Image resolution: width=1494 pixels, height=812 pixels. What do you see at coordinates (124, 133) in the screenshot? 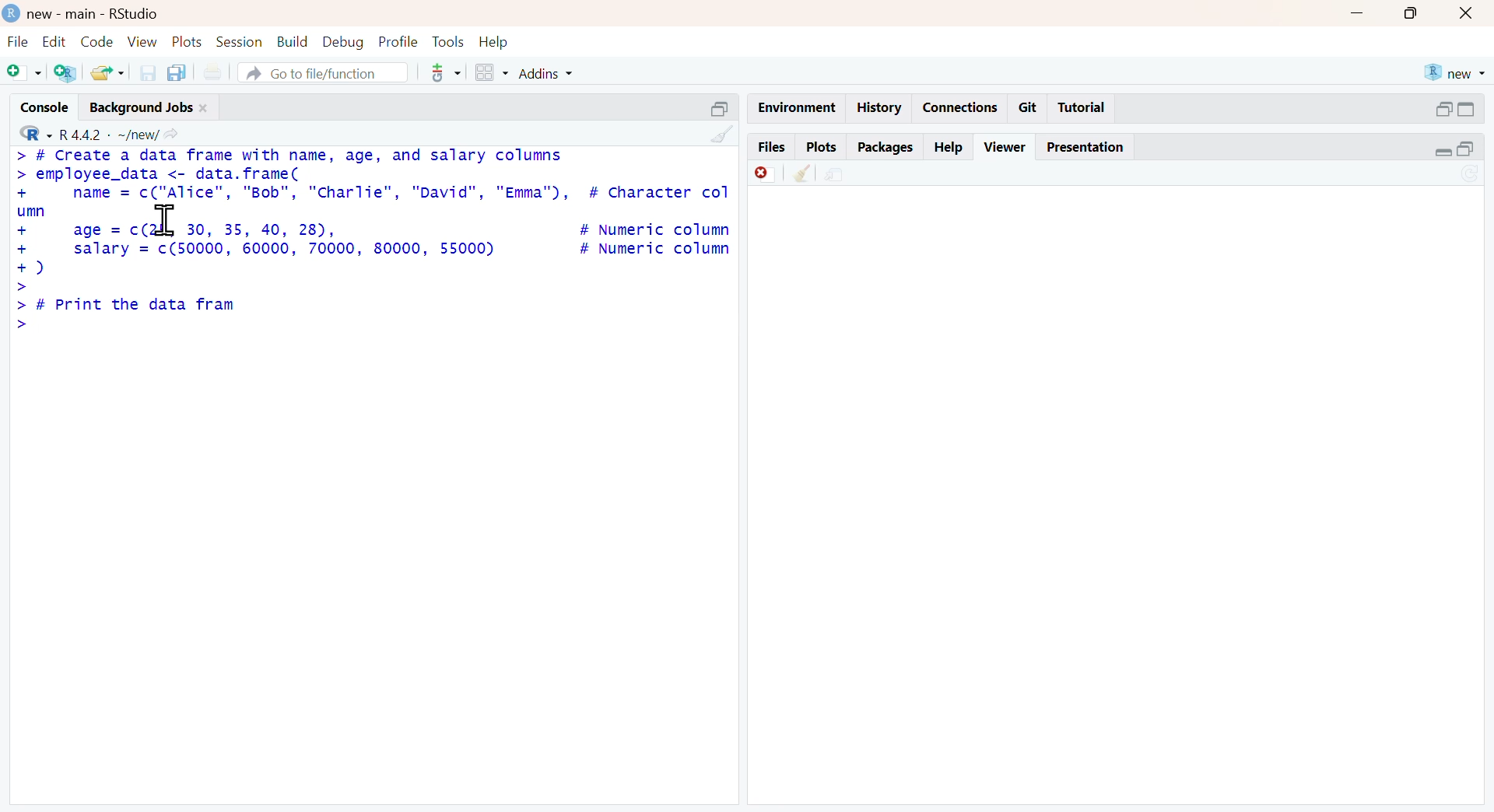
I see `R442 - ~/new/` at bounding box center [124, 133].